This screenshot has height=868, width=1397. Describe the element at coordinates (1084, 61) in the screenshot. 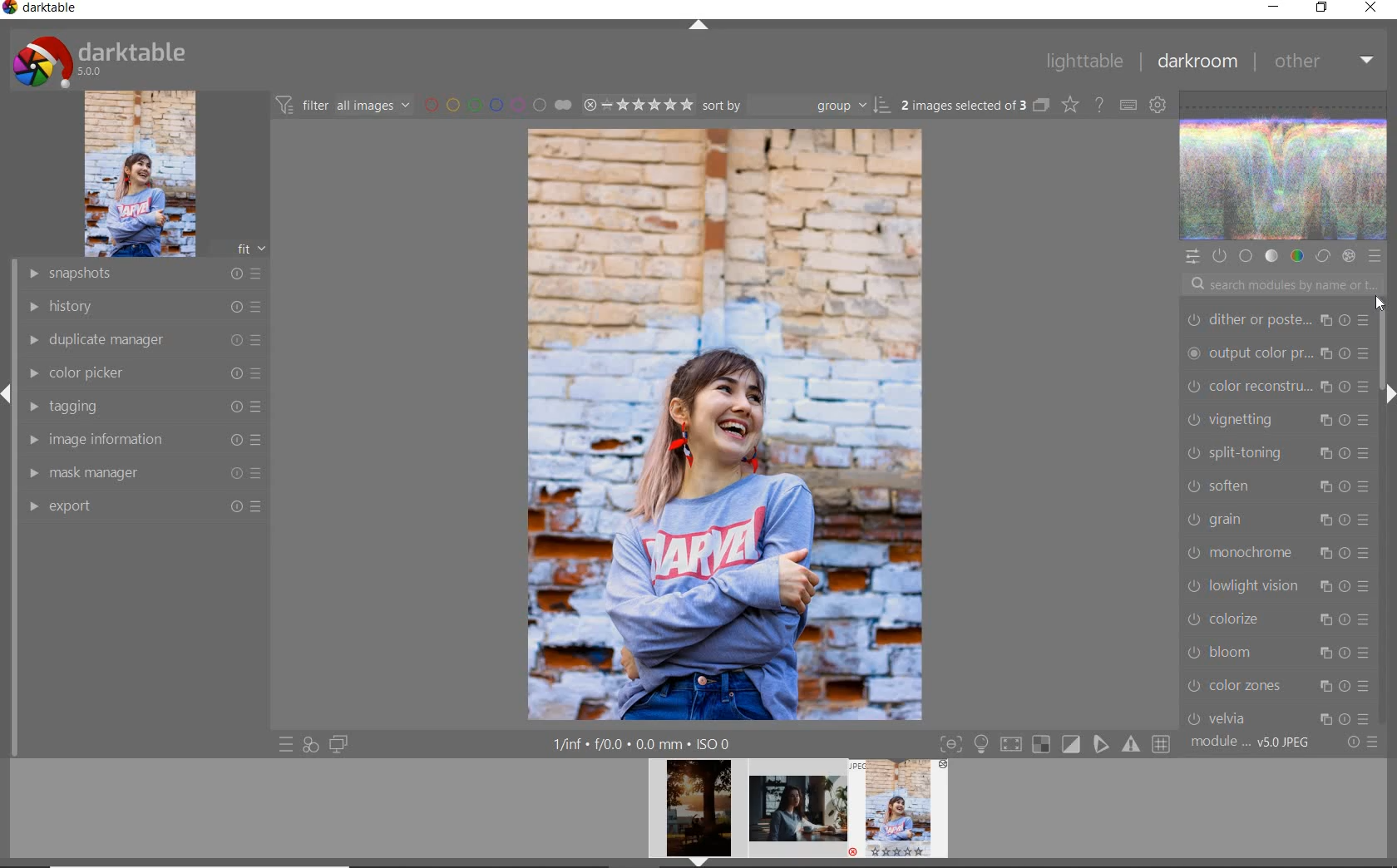

I see `LIGHTTABLE` at that location.